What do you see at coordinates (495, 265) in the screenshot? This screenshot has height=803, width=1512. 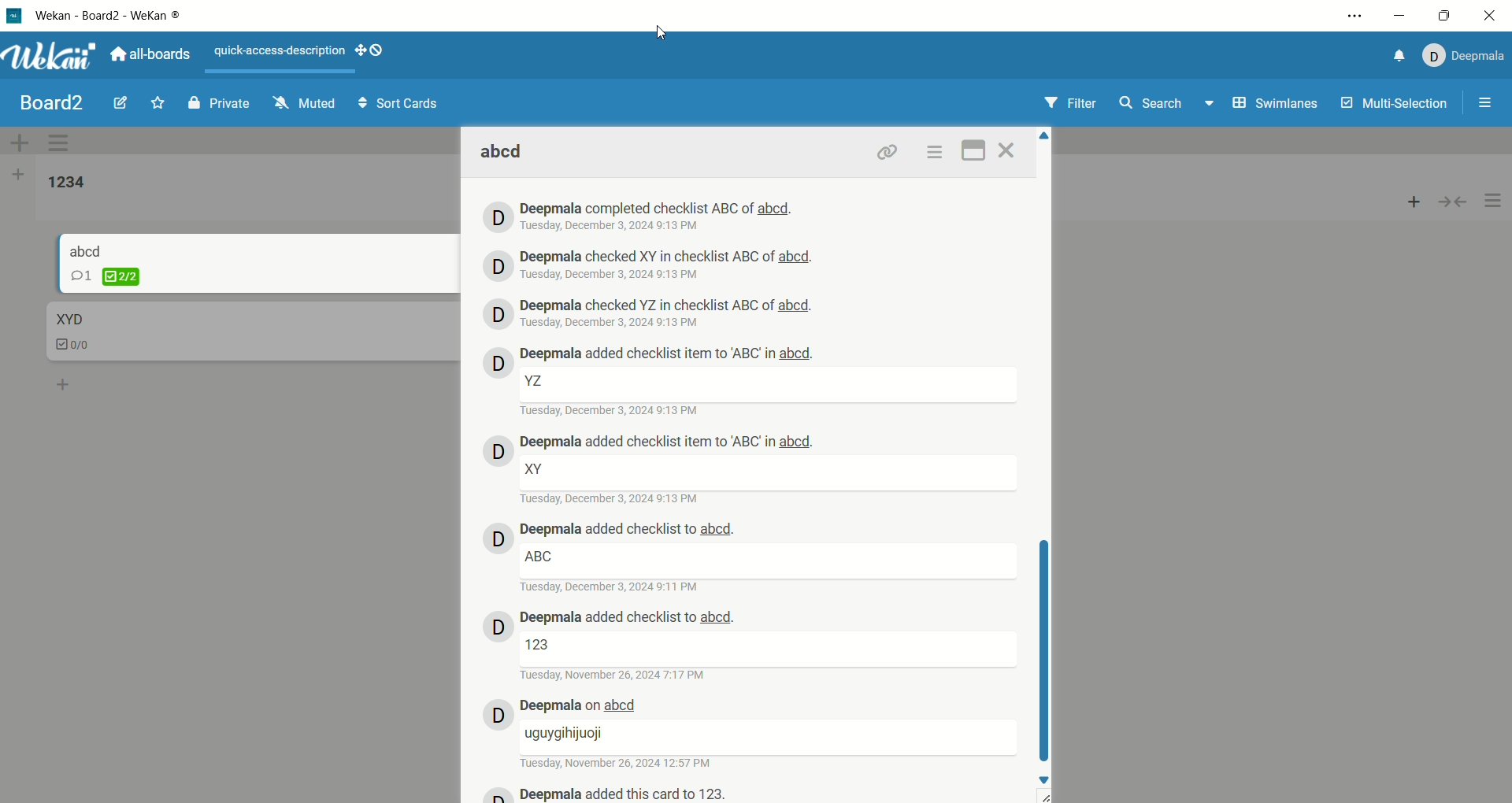 I see `avatar` at bounding box center [495, 265].